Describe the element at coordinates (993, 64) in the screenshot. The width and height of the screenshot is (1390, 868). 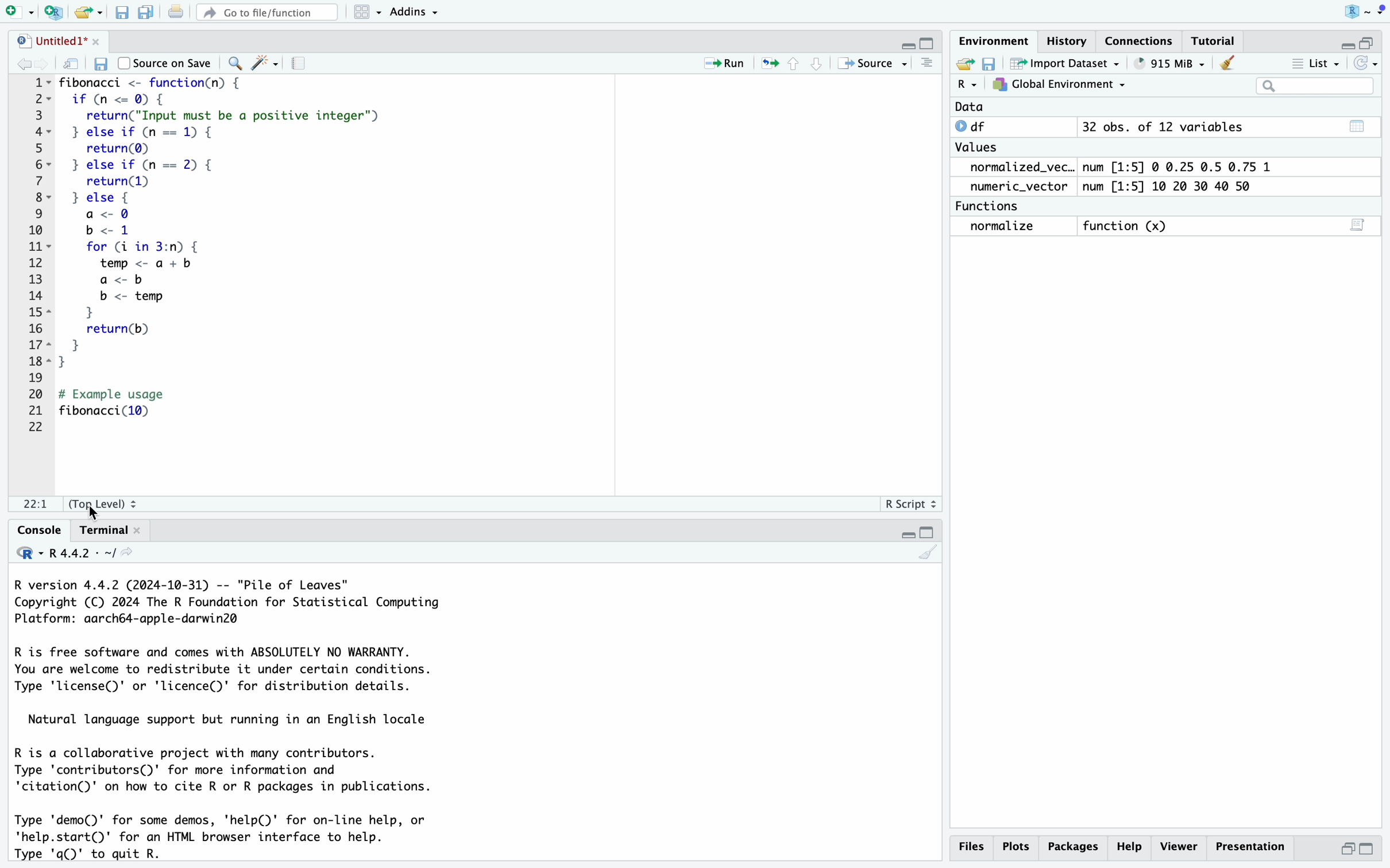
I see `save workspace as` at that location.